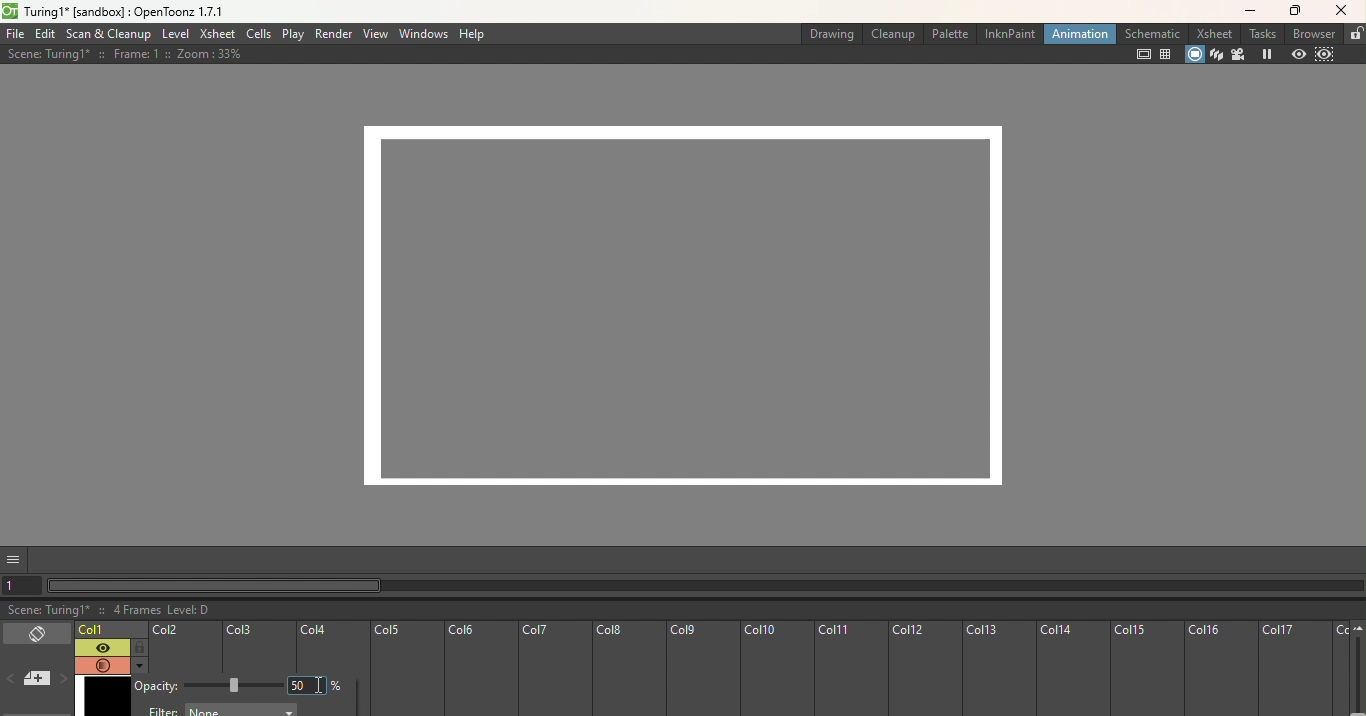 The height and width of the screenshot is (716, 1366). What do you see at coordinates (479, 670) in the screenshot?
I see `Col6` at bounding box center [479, 670].